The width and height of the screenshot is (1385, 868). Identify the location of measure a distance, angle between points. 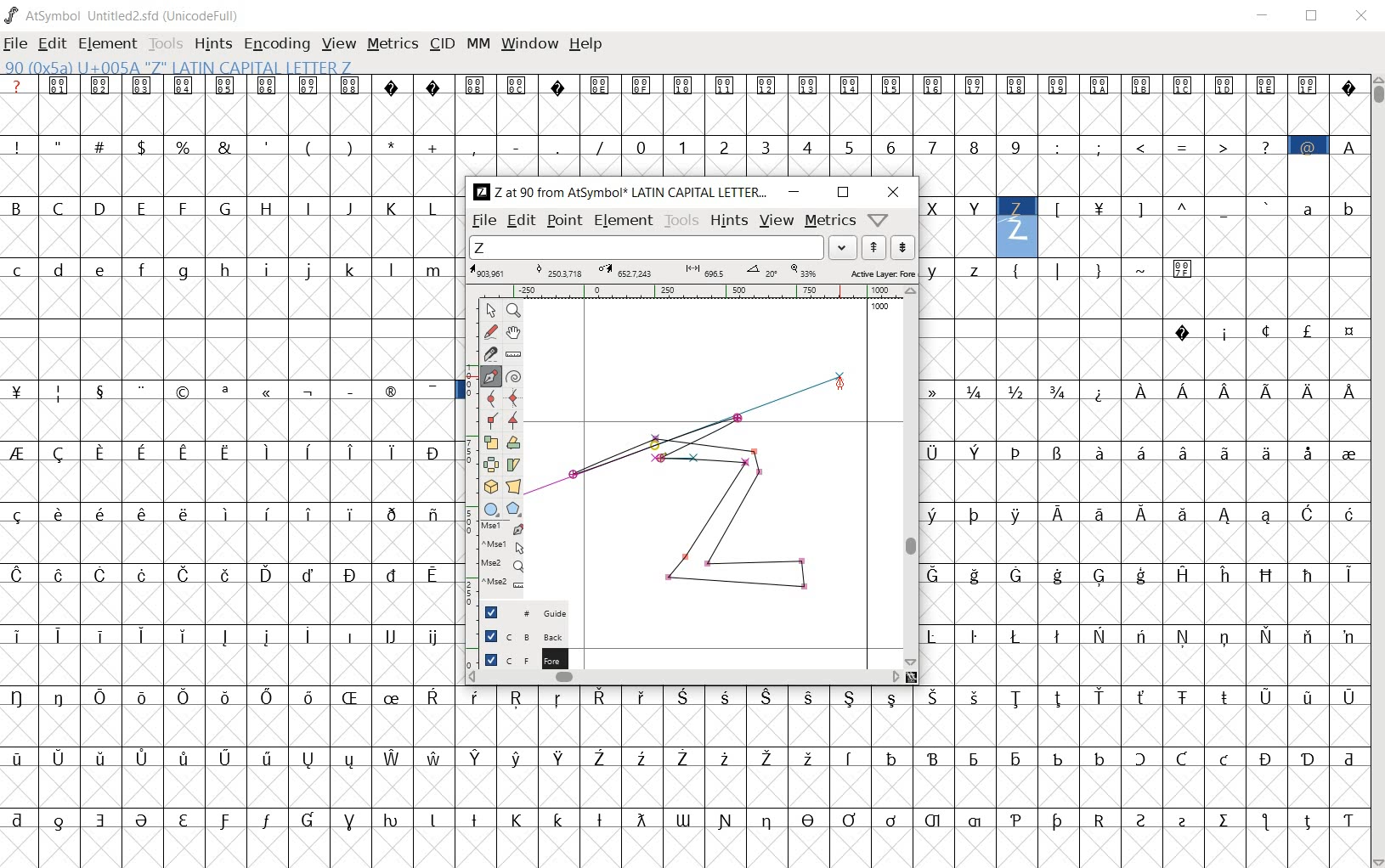
(512, 353).